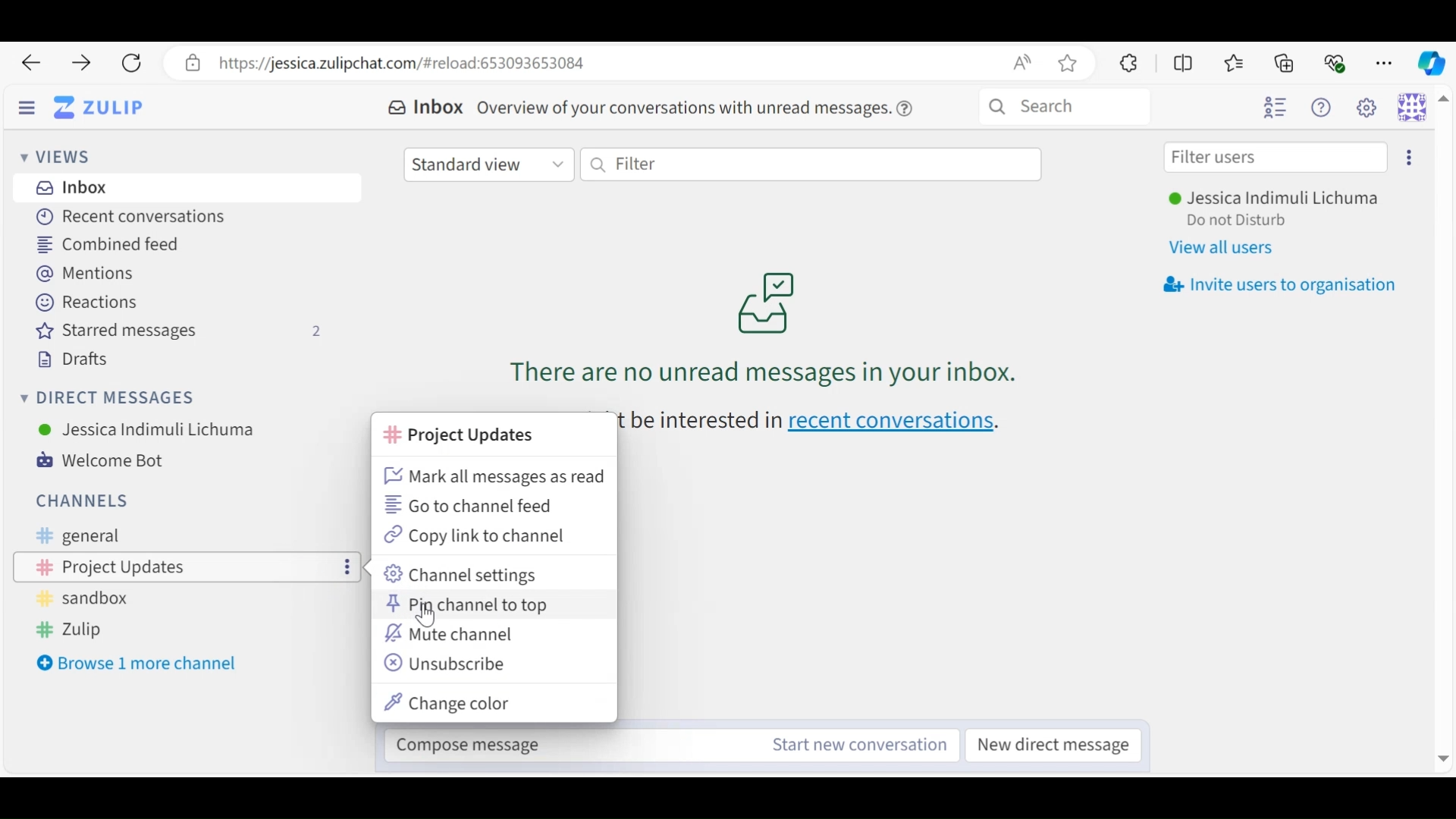 This screenshot has height=819, width=1456. Describe the element at coordinates (111, 243) in the screenshot. I see `Combined feed` at that location.